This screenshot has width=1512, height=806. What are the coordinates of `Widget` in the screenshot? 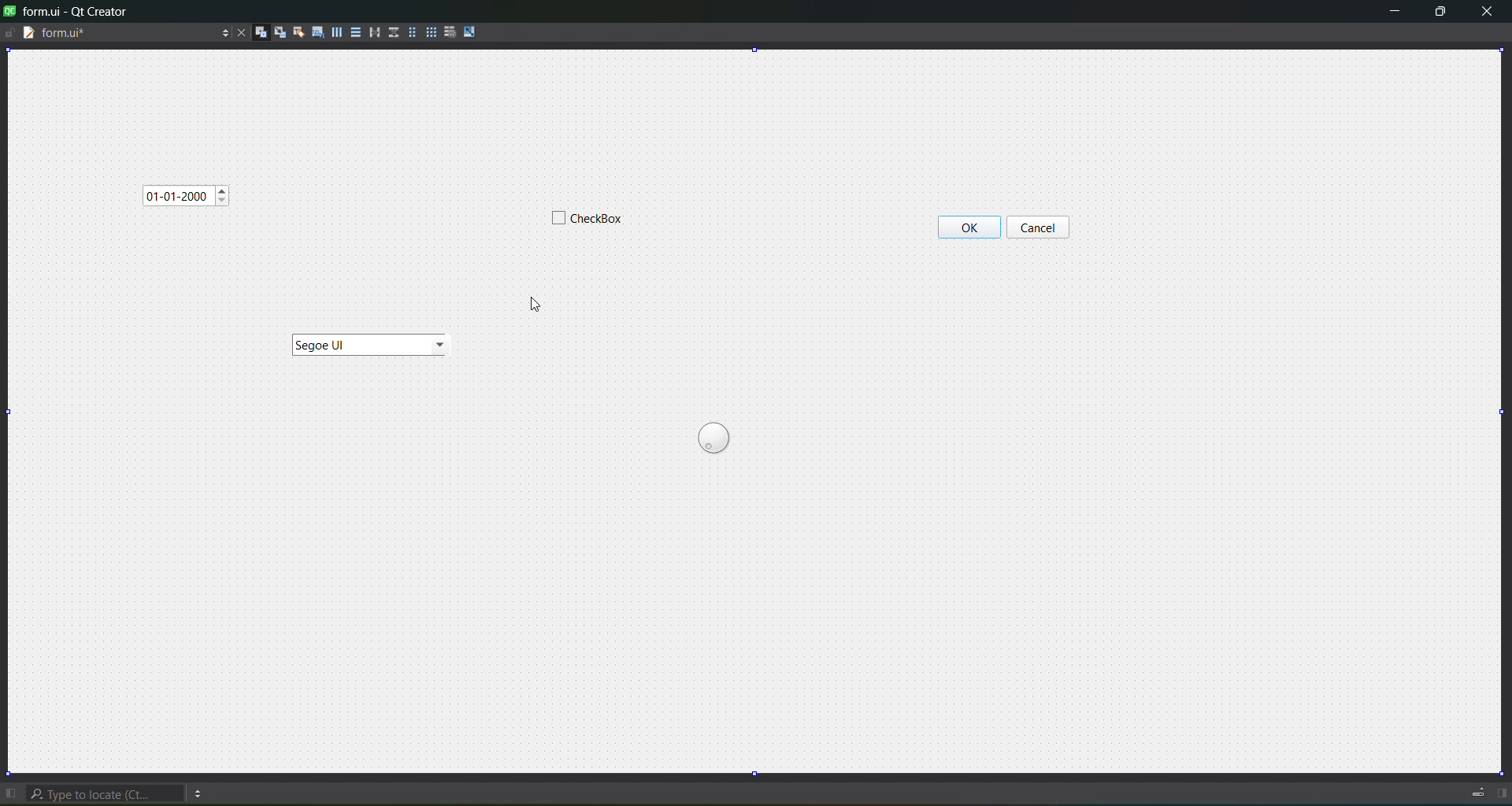 It's located at (188, 197).